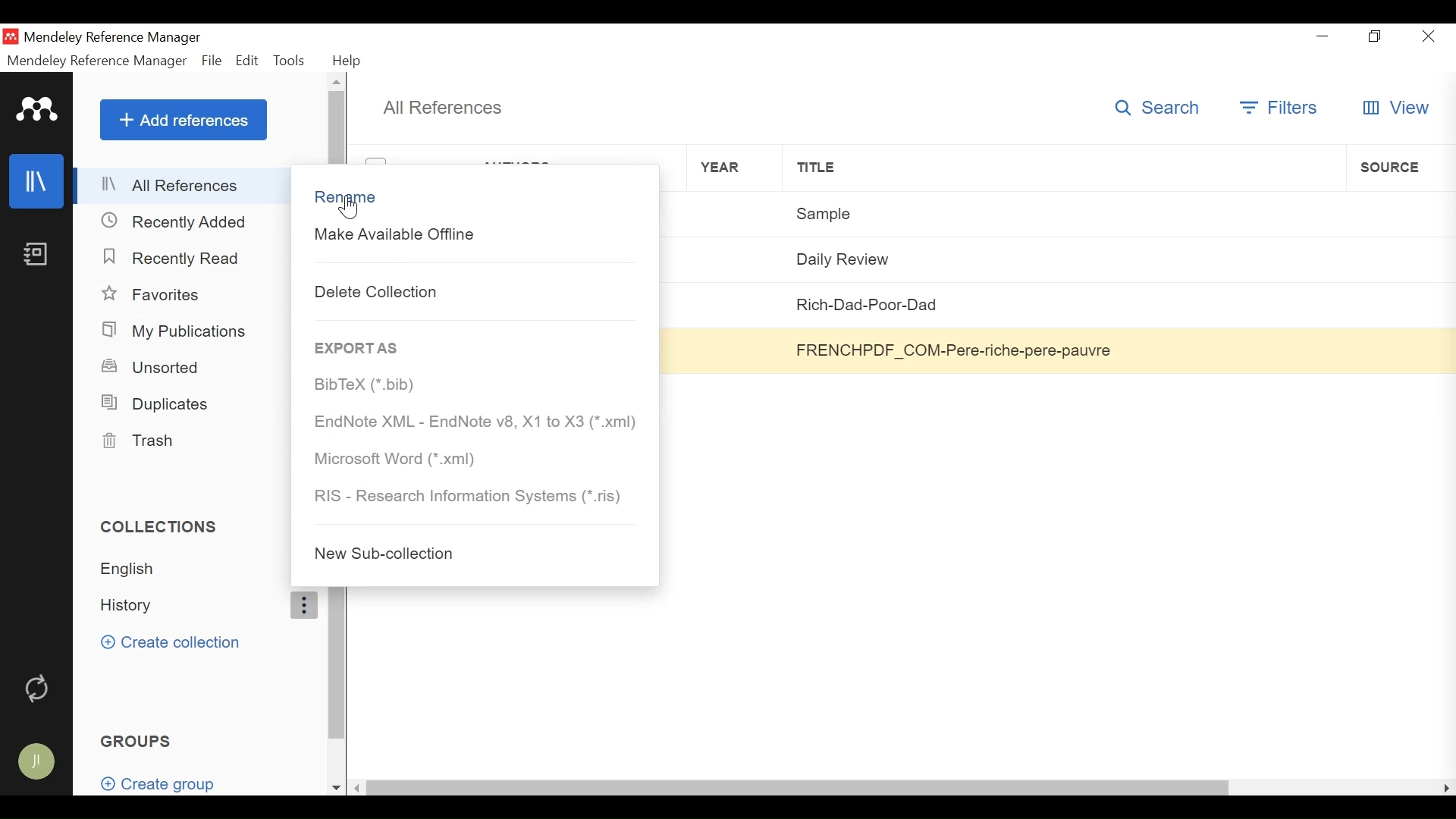  I want to click on Year, so click(735, 168).